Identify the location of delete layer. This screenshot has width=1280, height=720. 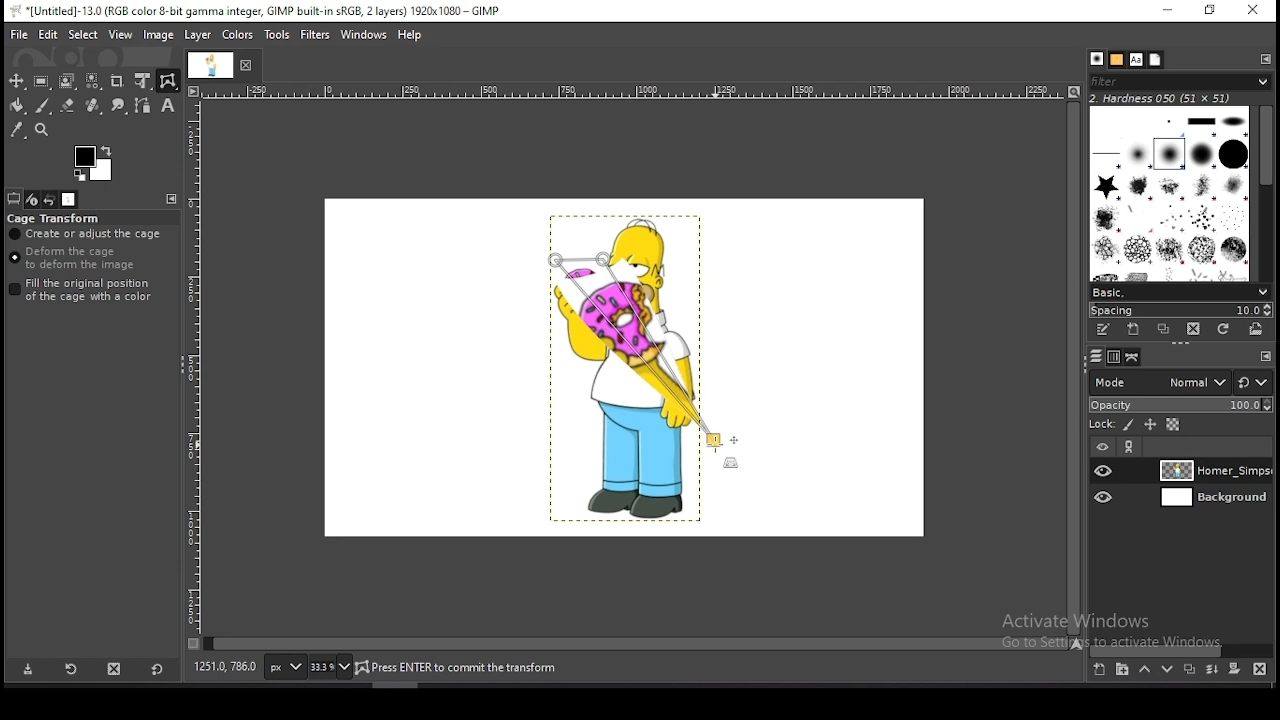
(1257, 669).